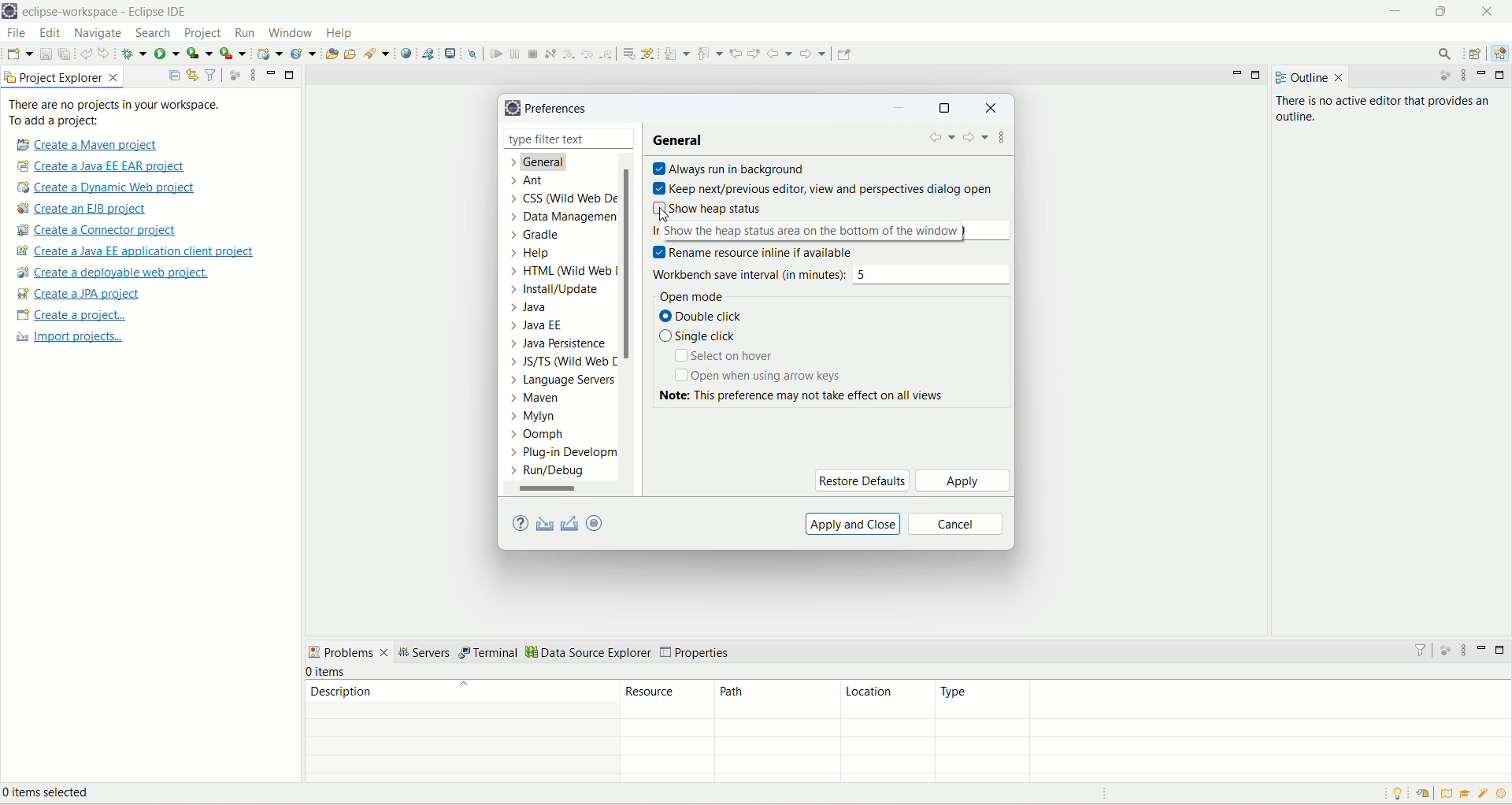  What do you see at coordinates (1443, 648) in the screenshot?
I see `focus on active task` at bounding box center [1443, 648].